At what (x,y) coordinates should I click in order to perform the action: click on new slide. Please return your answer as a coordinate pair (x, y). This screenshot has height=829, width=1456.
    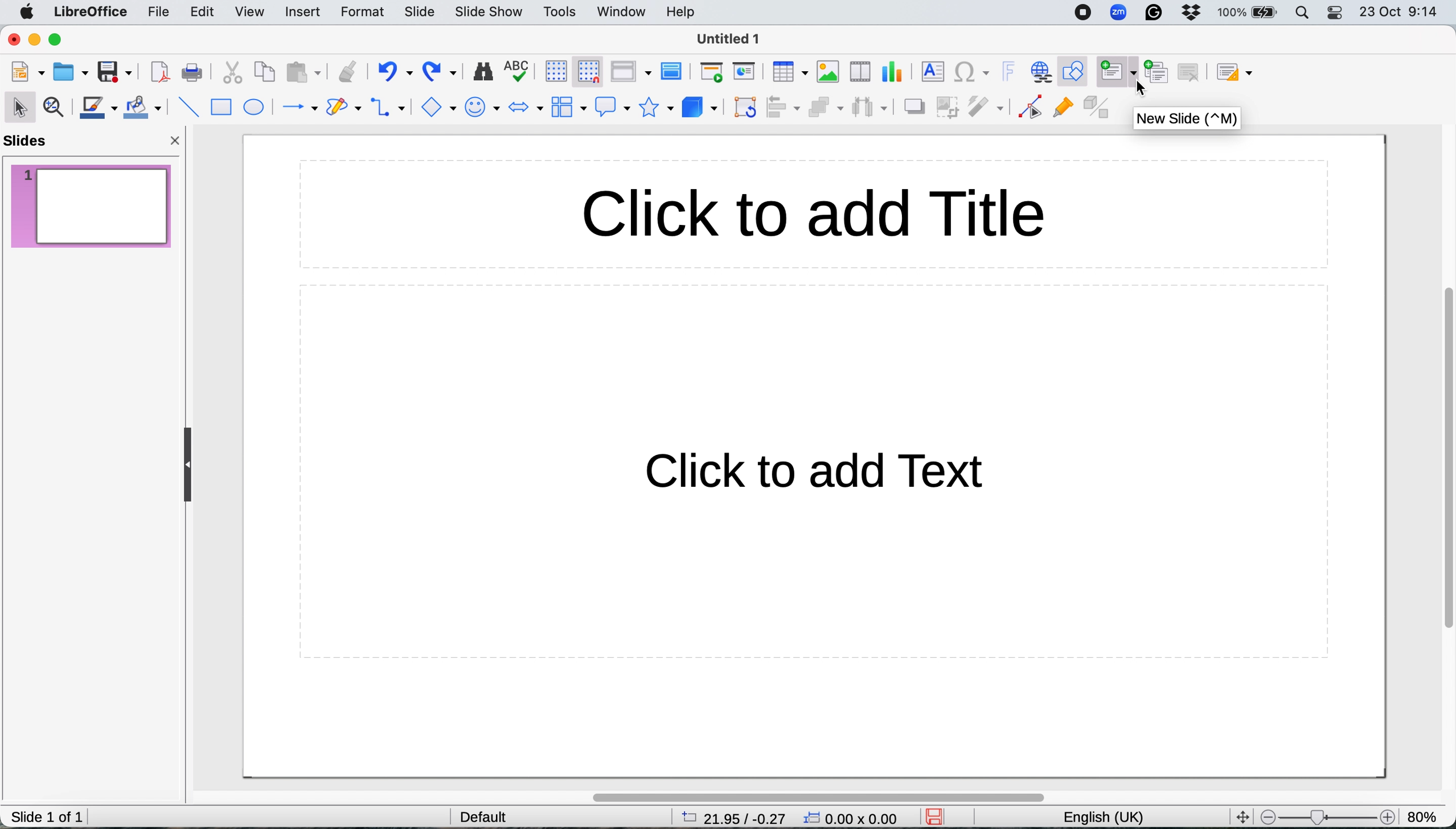
    Looking at the image, I should click on (1116, 69).